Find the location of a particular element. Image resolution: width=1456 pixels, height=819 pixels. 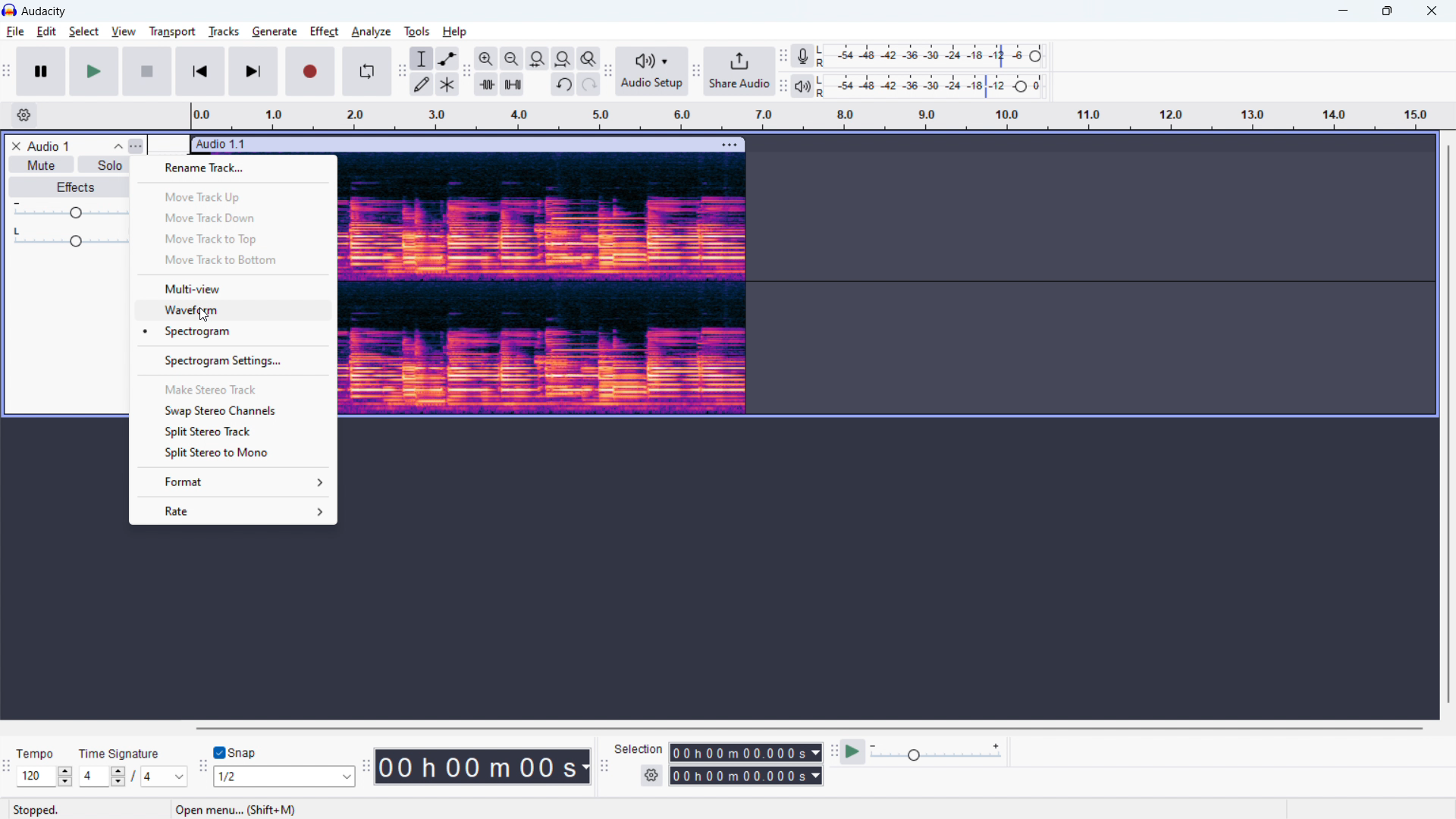

increase beats per measure is located at coordinates (118, 770).